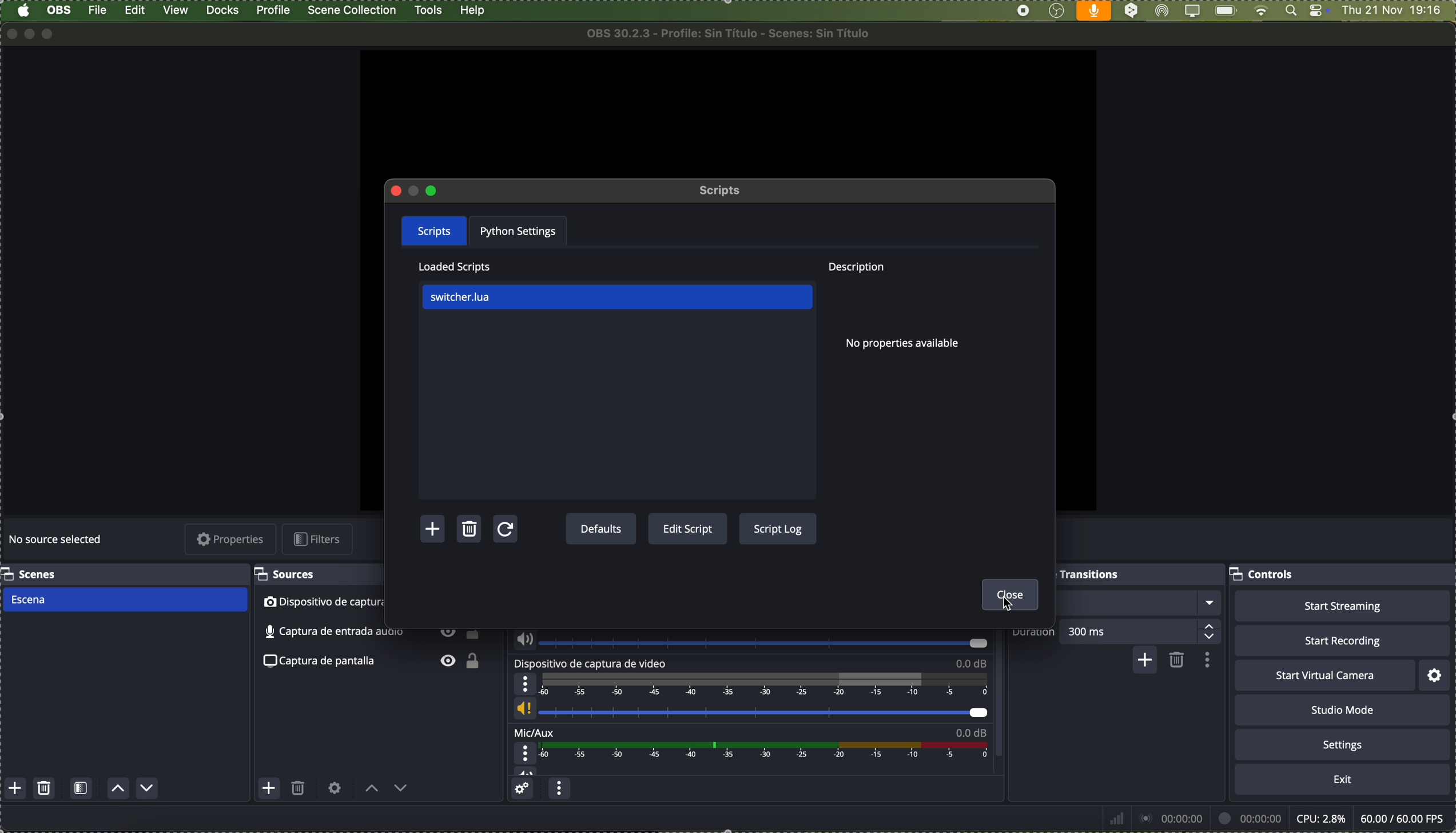 This screenshot has width=1456, height=833. I want to click on data, so click(1275, 818).